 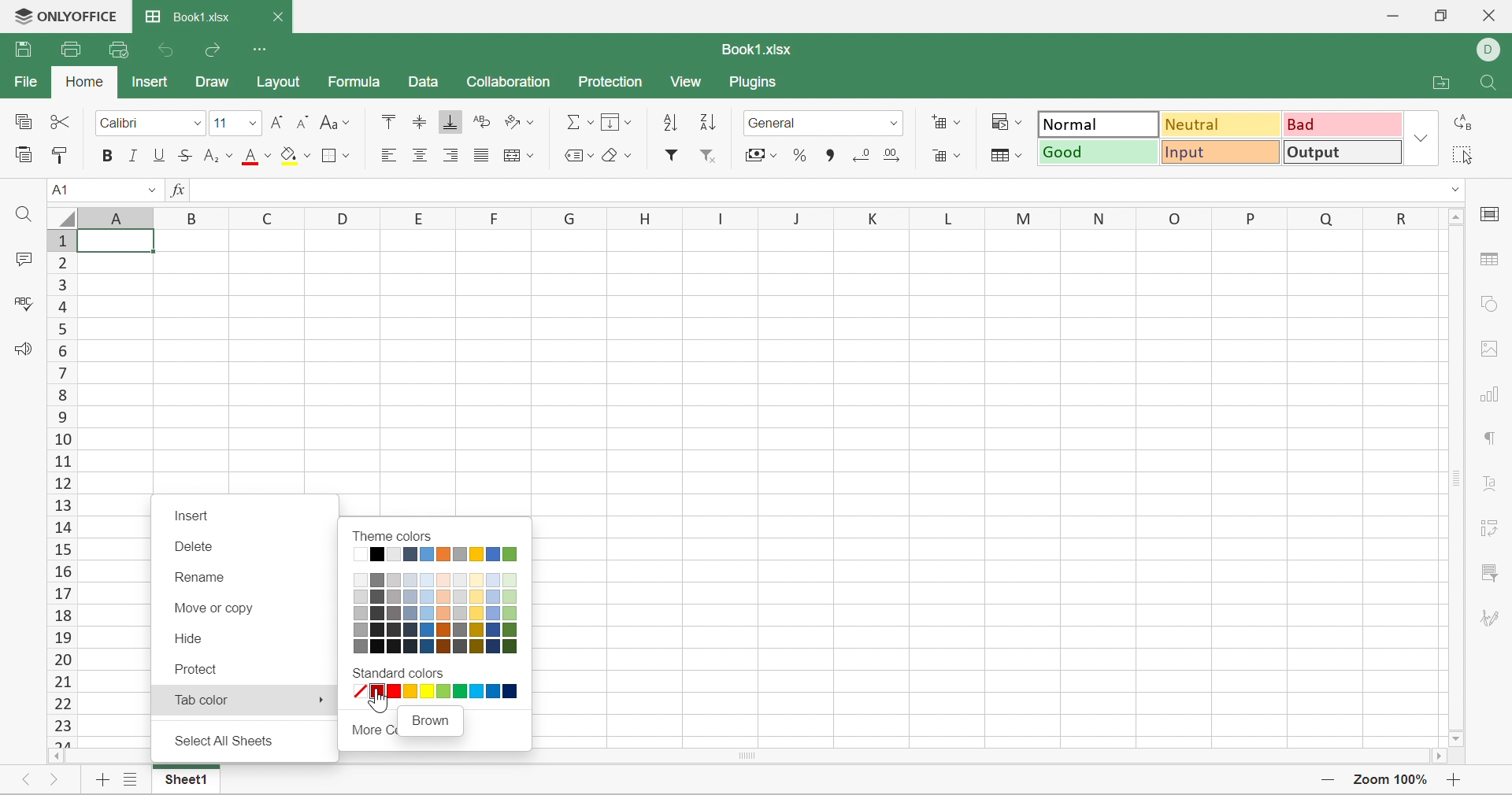 I want to click on , so click(x=613, y=121).